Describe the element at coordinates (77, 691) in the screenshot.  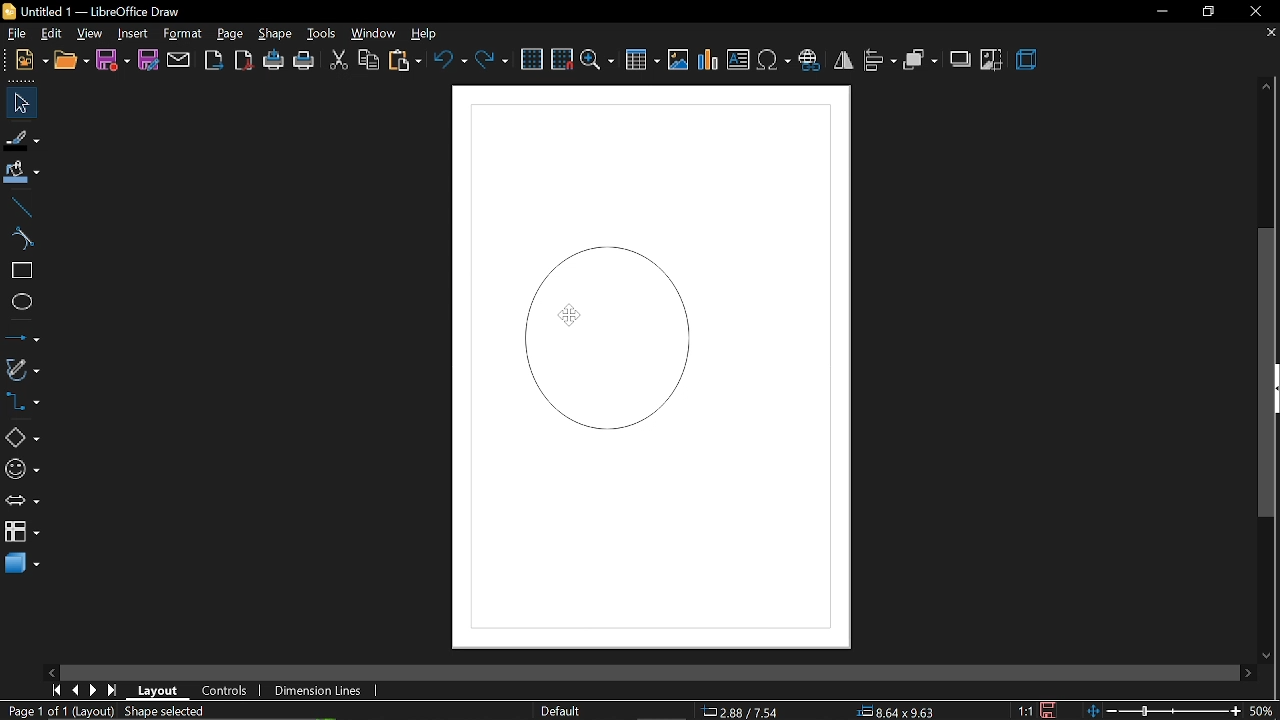
I see `previous page` at that location.